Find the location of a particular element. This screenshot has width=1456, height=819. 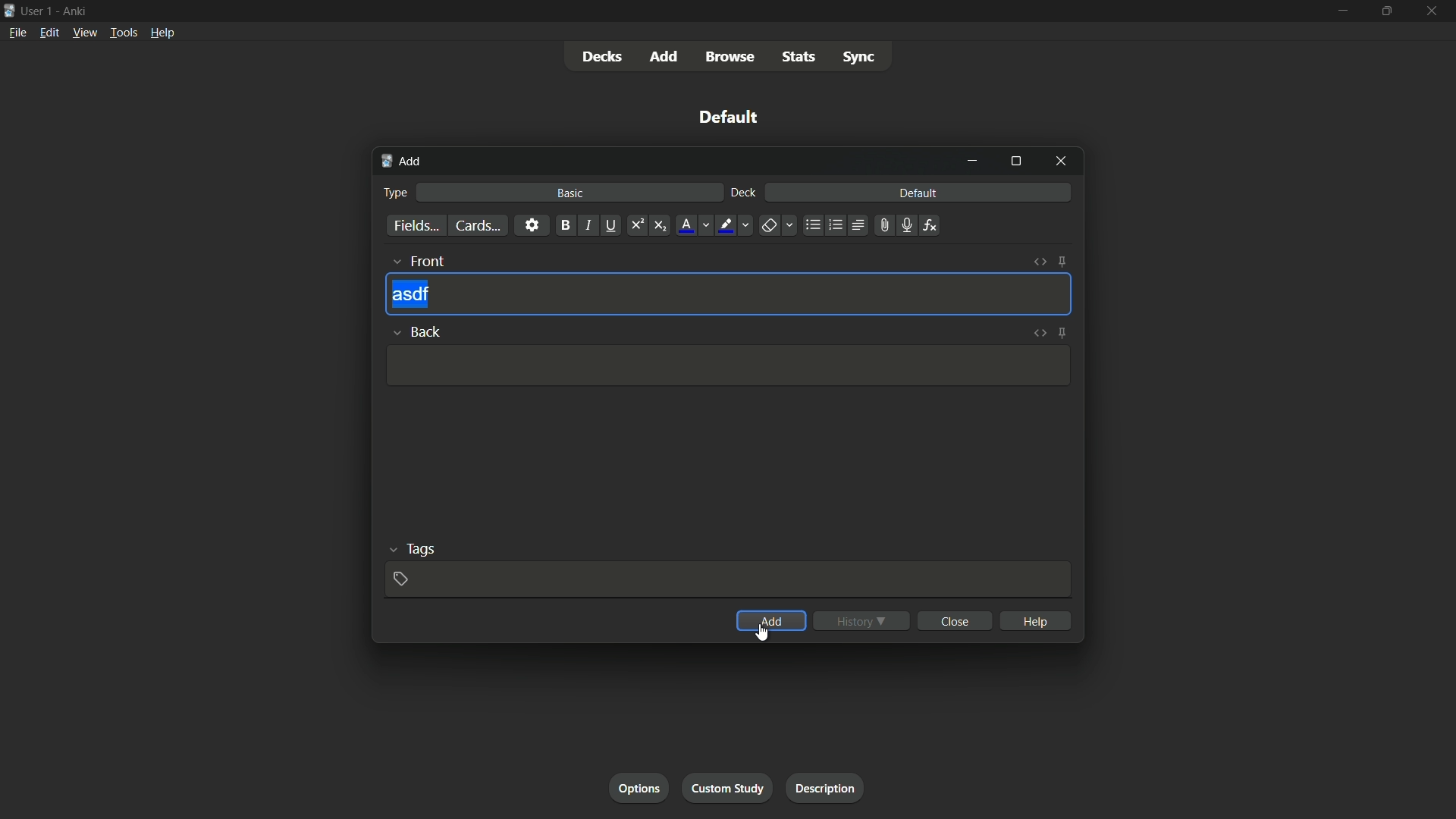

minimize is located at coordinates (1344, 10).